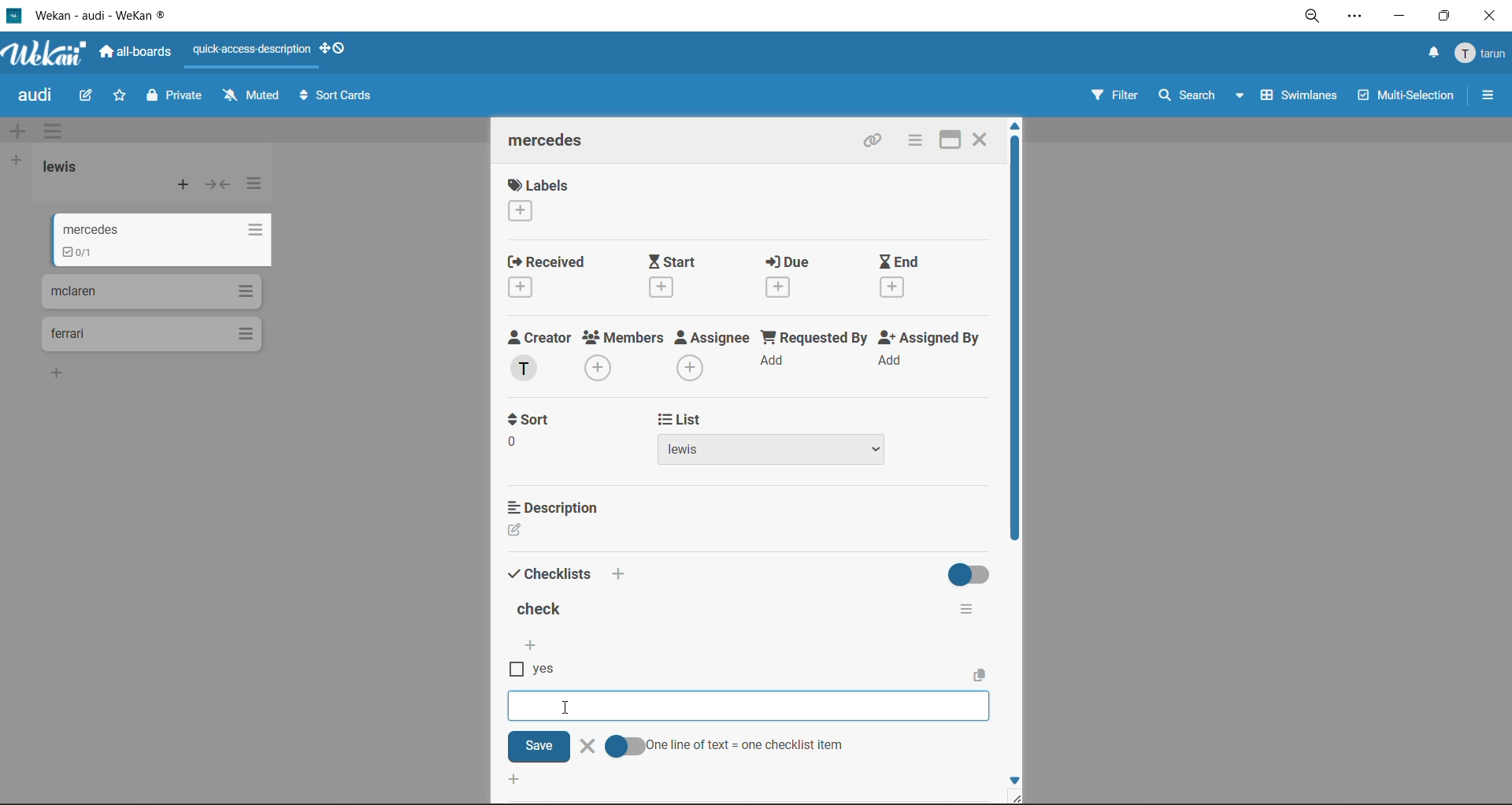 The height and width of the screenshot is (805, 1512). Describe the element at coordinates (548, 278) in the screenshot. I see `recieved` at that location.